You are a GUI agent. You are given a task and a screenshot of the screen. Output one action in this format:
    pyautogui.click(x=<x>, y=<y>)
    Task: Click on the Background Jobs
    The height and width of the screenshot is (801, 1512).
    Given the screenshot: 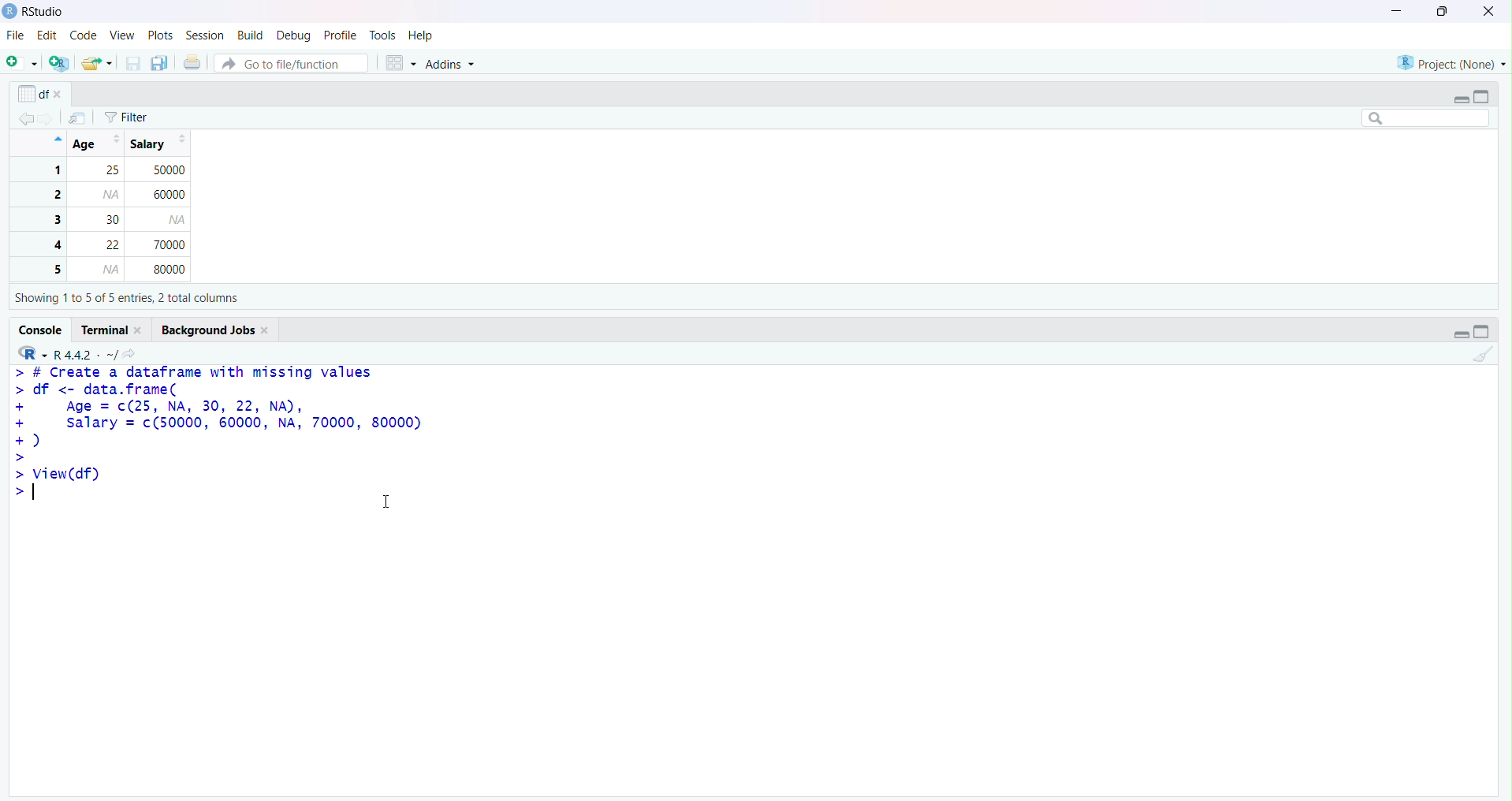 What is the action you would take?
    pyautogui.click(x=216, y=330)
    